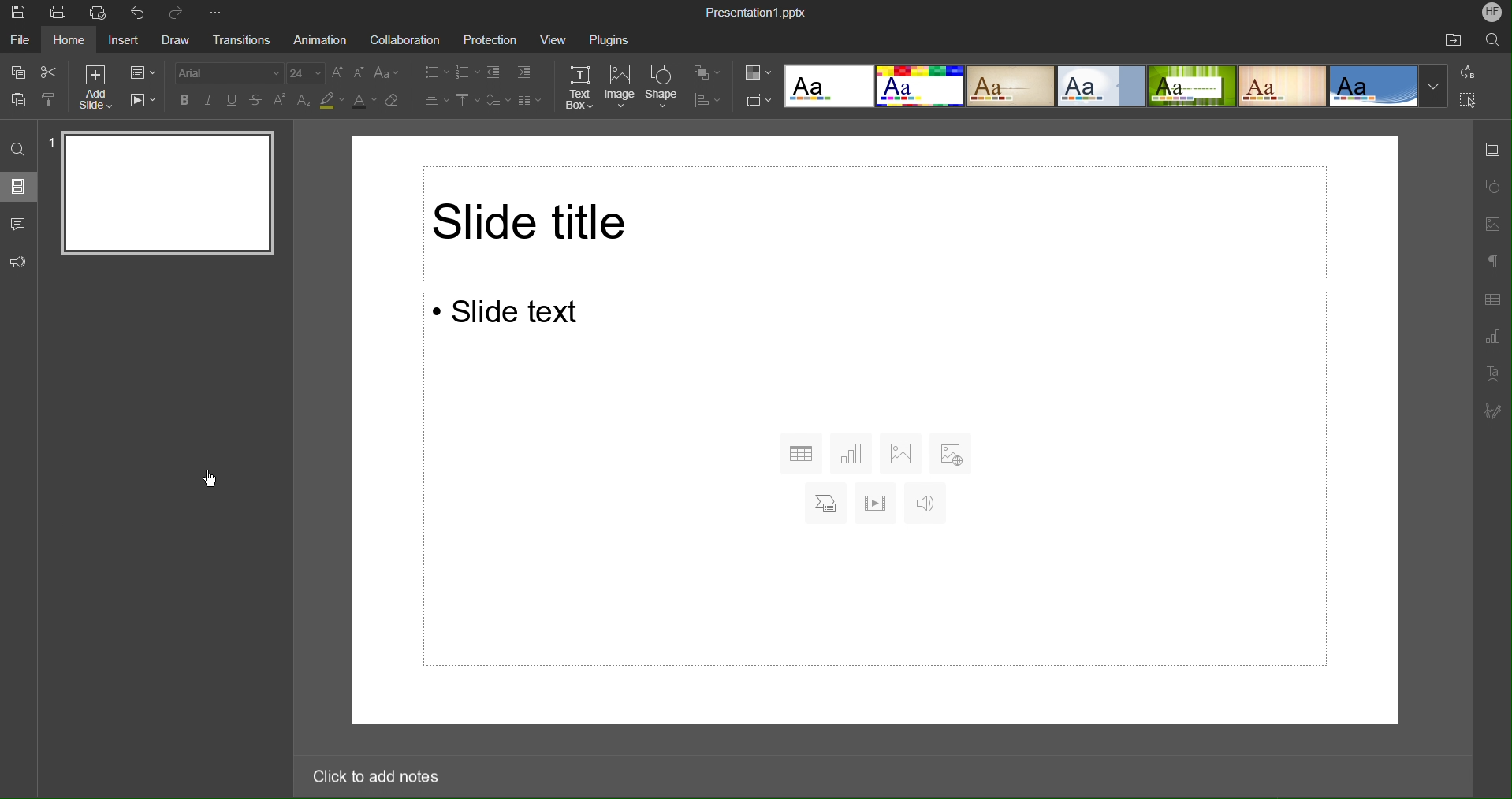  I want to click on Line Spacing, so click(496, 98).